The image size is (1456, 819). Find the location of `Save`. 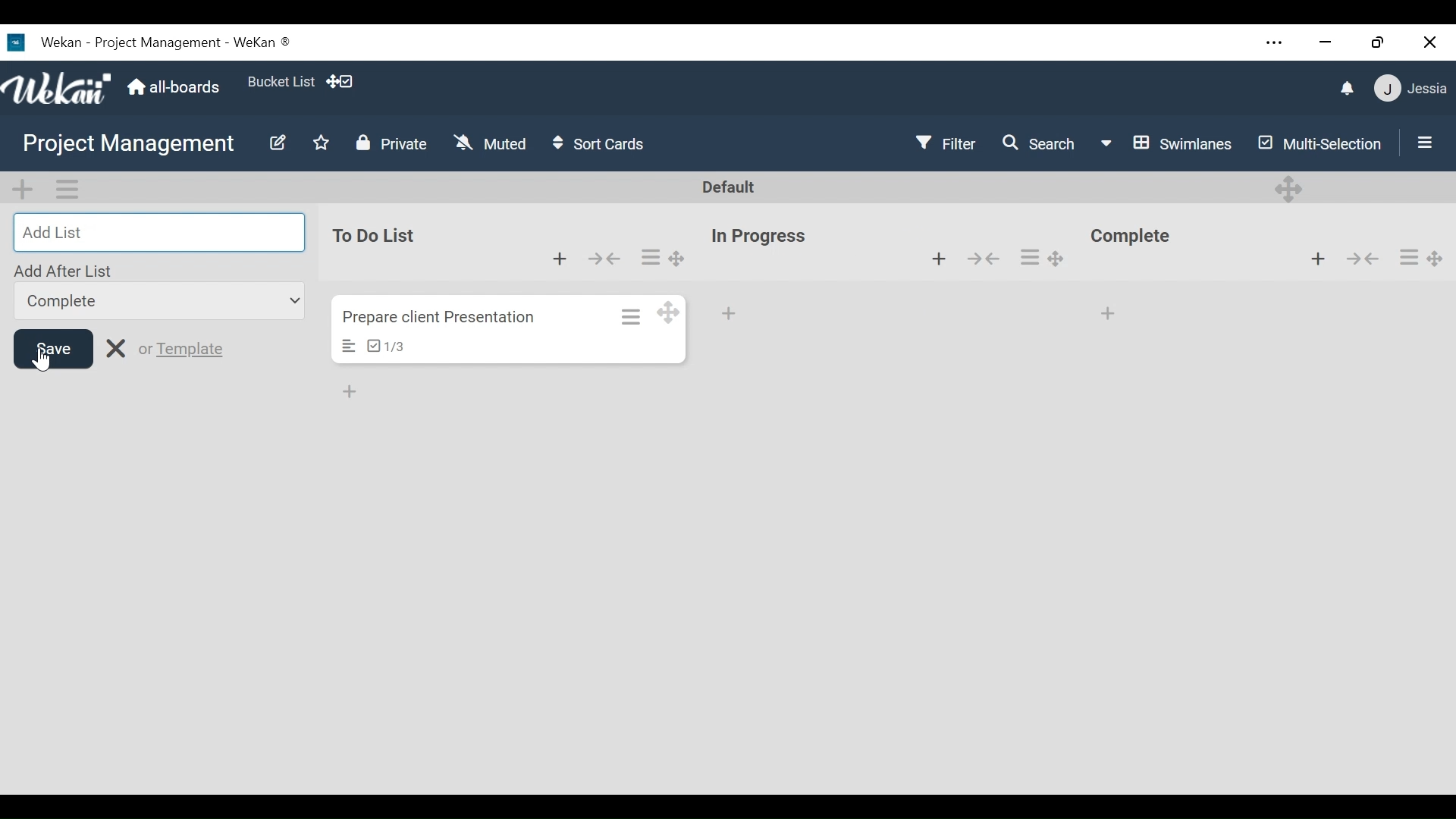

Save is located at coordinates (53, 348).